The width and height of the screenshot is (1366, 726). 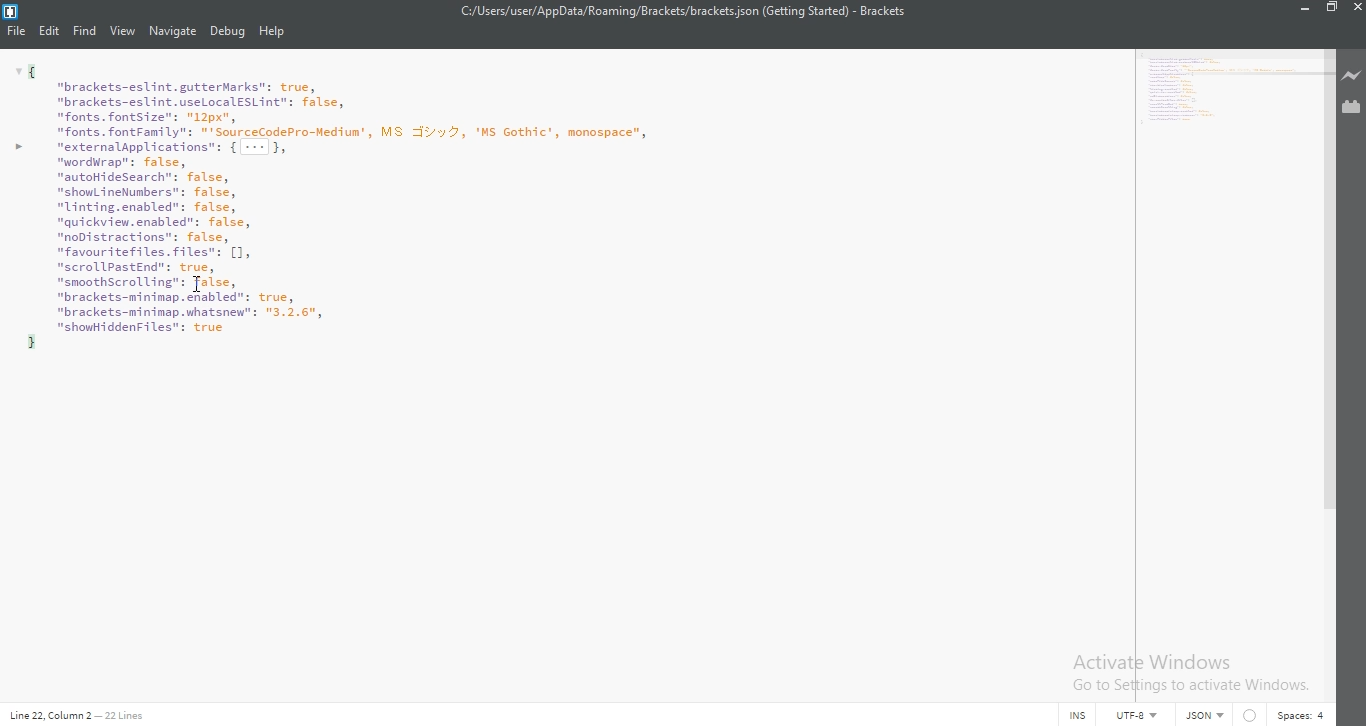 What do you see at coordinates (1353, 109) in the screenshot?
I see `Extension Manager` at bounding box center [1353, 109].